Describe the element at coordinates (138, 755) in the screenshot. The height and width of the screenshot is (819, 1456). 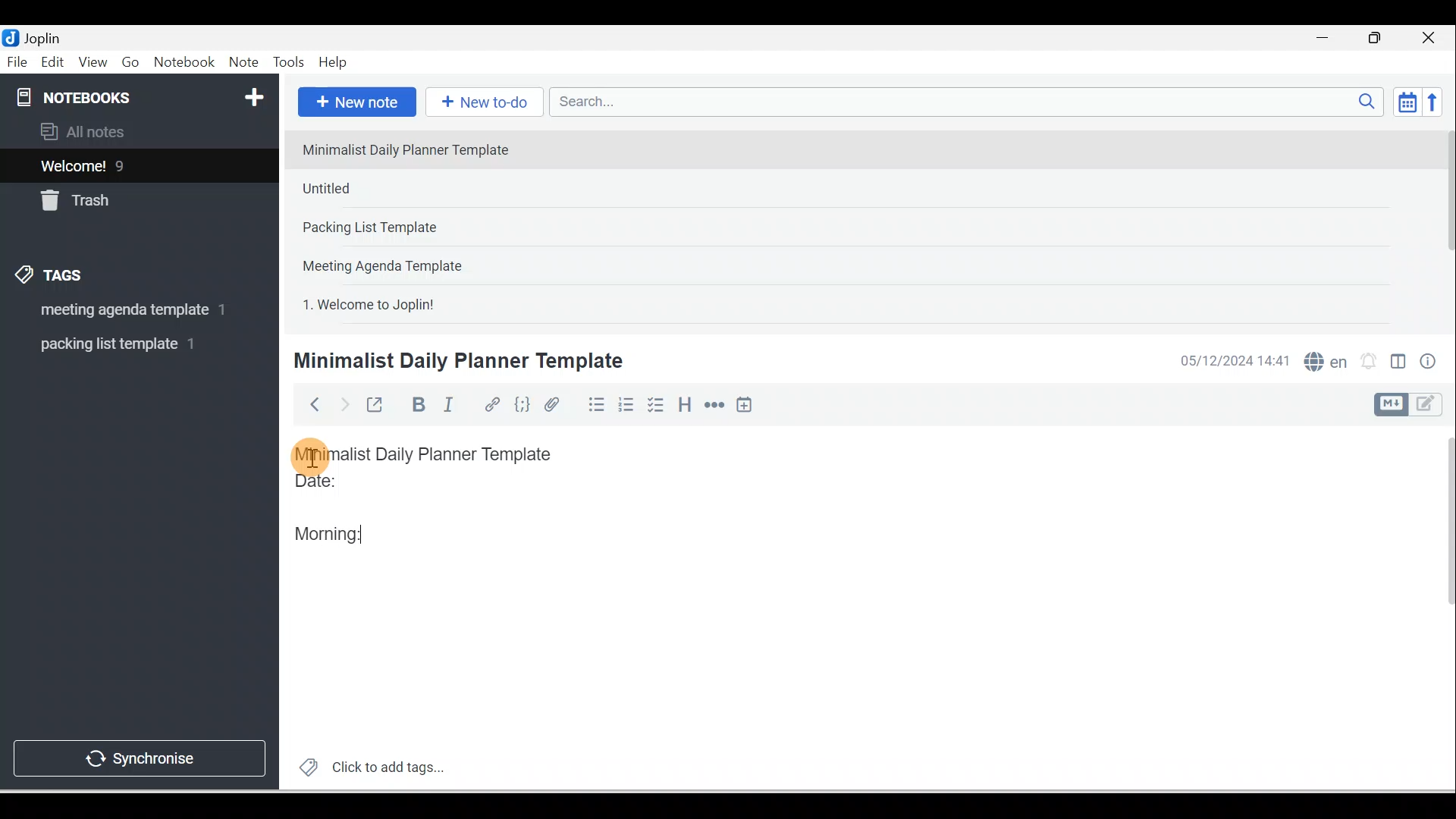
I see `Synchronise` at that location.